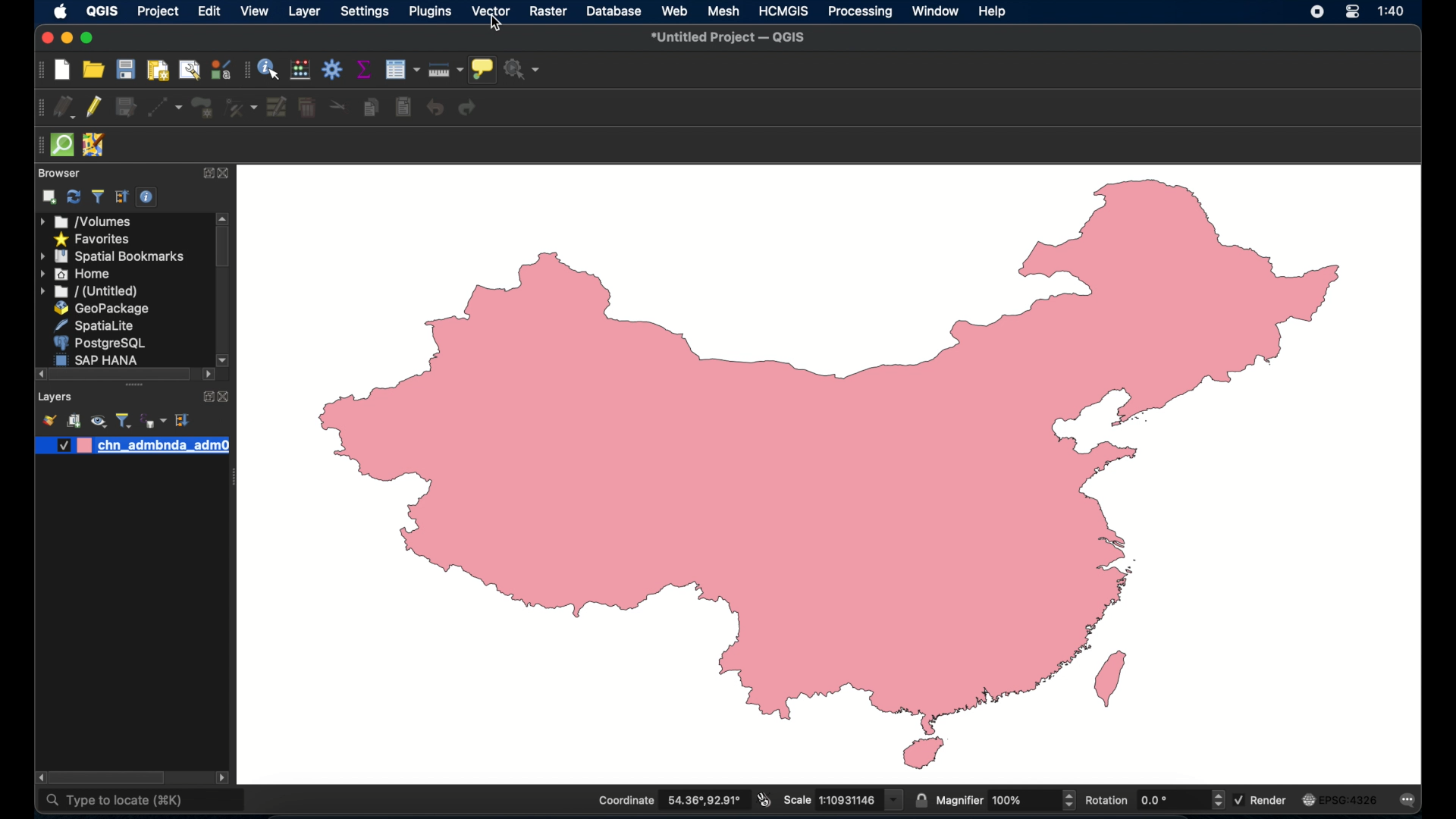  What do you see at coordinates (523, 69) in the screenshot?
I see `no action selected` at bounding box center [523, 69].